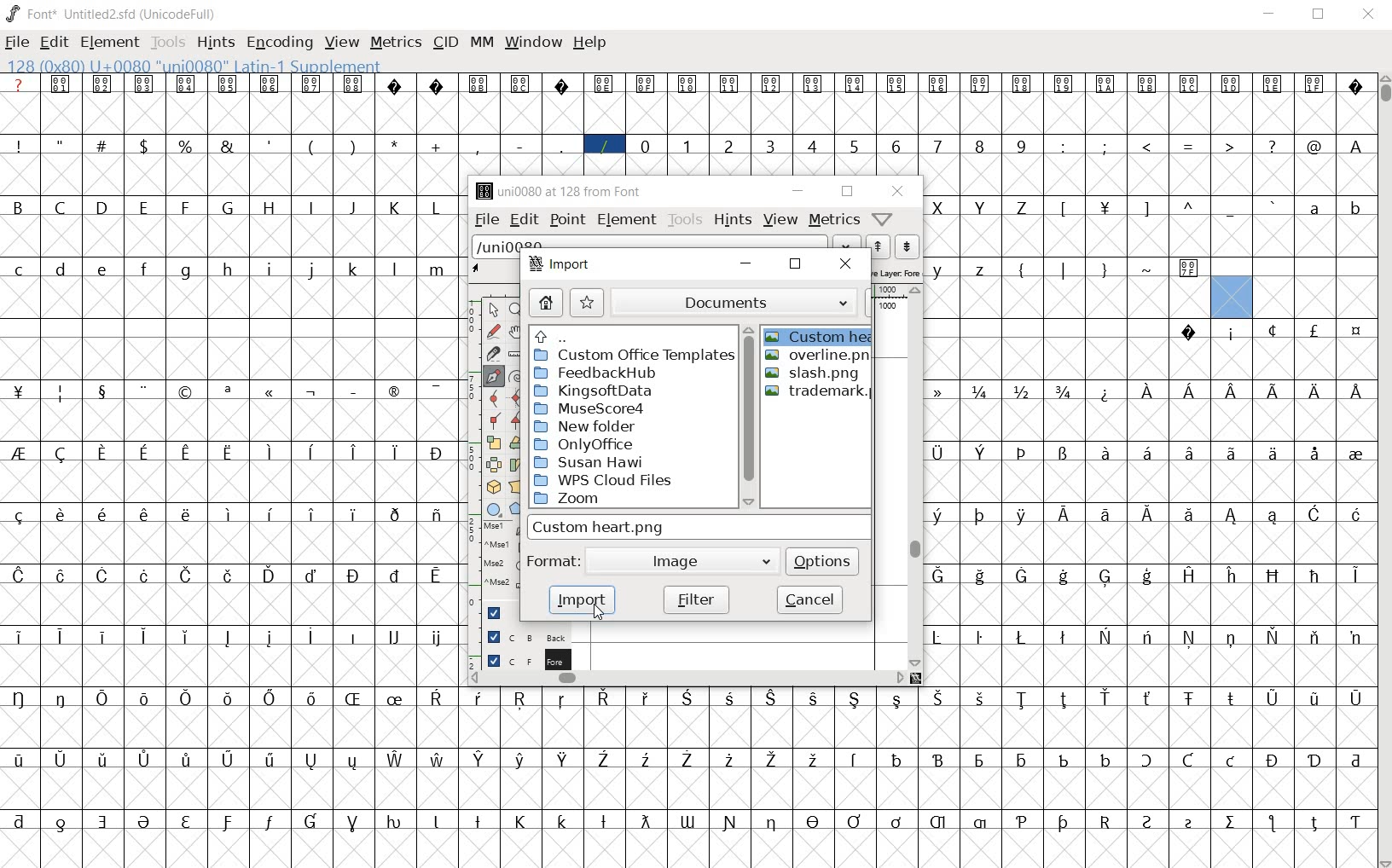 This screenshot has height=868, width=1392. Describe the element at coordinates (391, 391) in the screenshot. I see `glyph` at that location.